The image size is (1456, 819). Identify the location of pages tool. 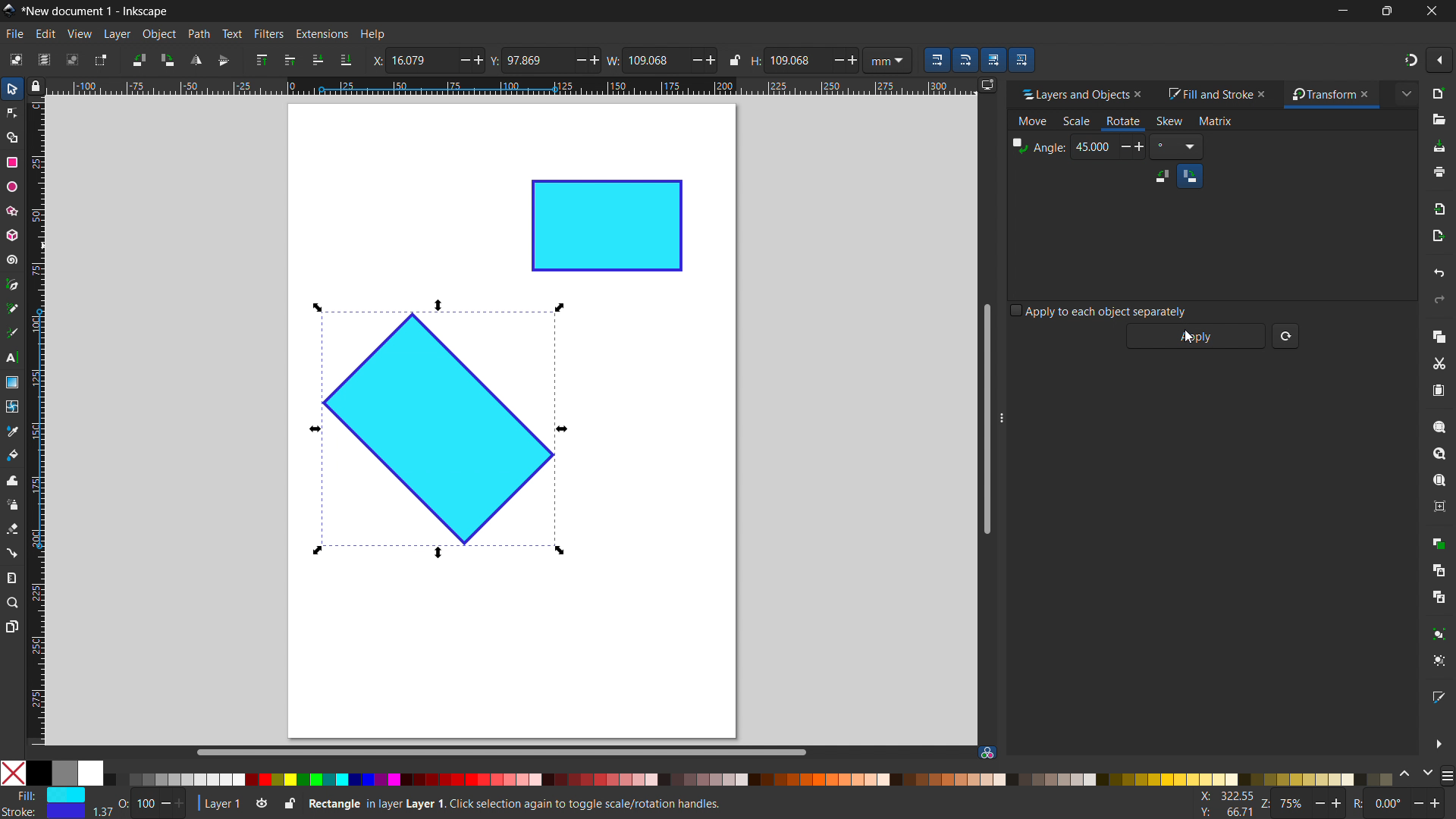
(13, 626).